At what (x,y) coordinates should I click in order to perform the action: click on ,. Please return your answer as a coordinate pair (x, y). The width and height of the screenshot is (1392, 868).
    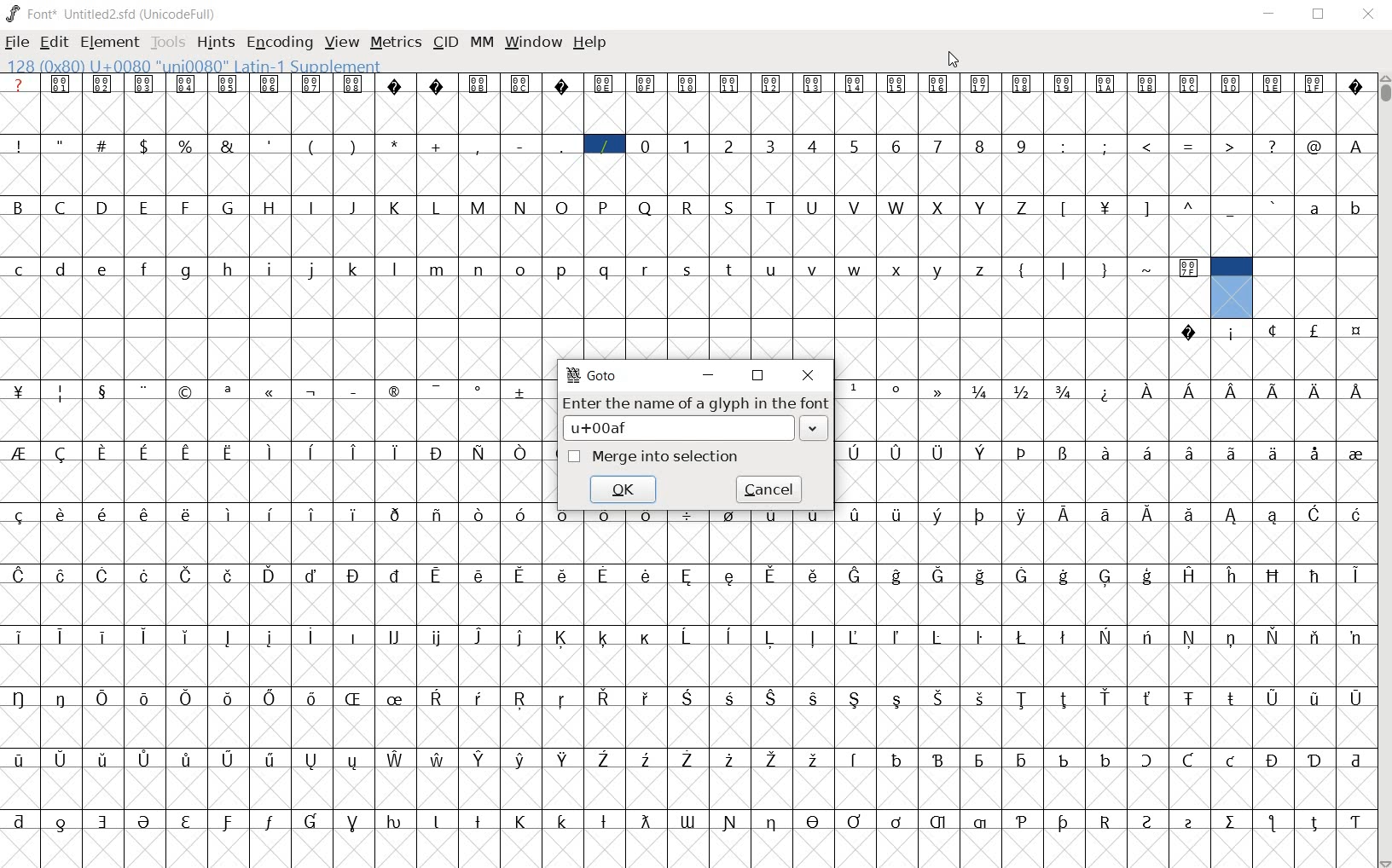
    Looking at the image, I should click on (478, 148).